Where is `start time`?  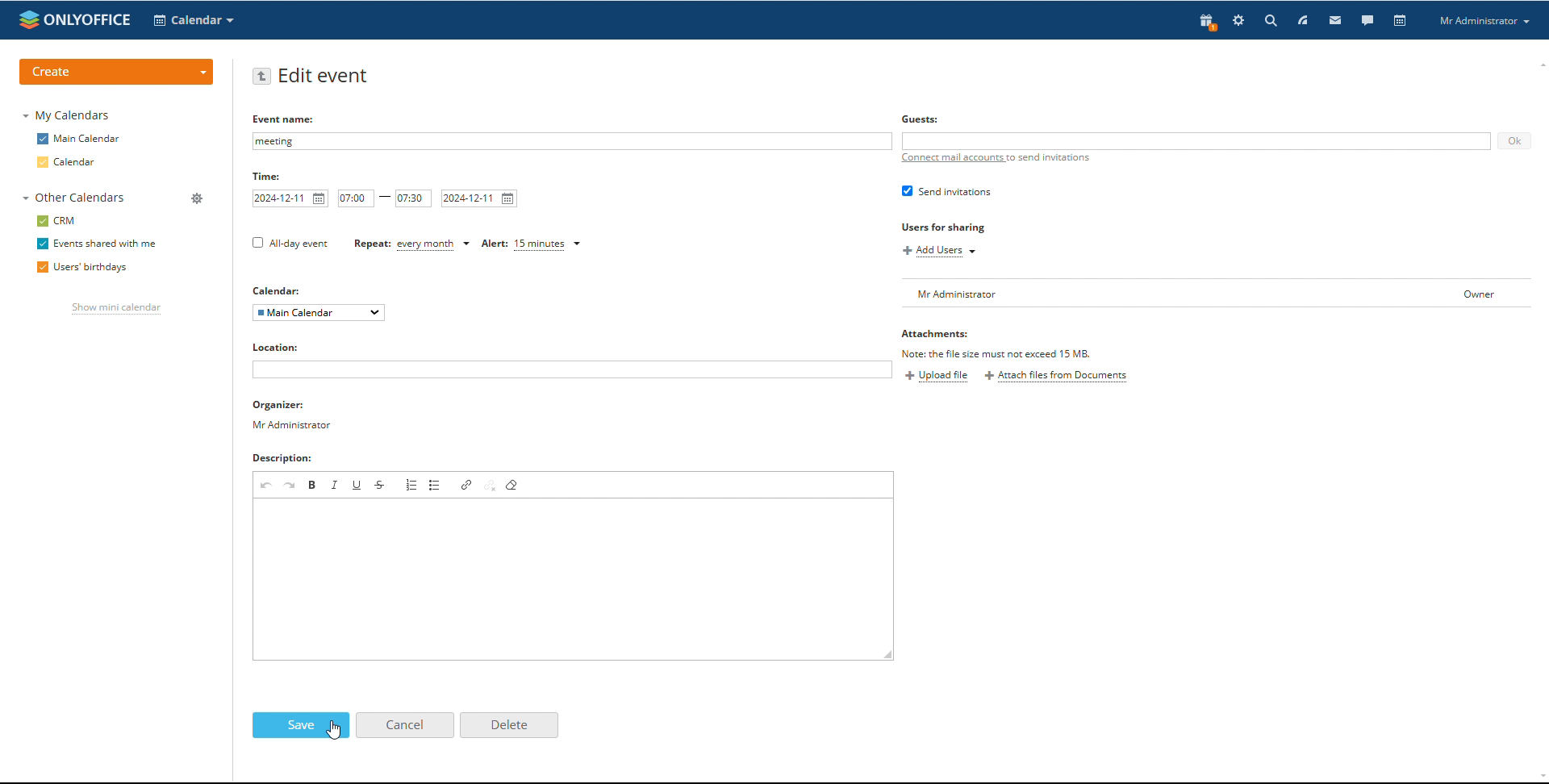 start time is located at coordinates (356, 198).